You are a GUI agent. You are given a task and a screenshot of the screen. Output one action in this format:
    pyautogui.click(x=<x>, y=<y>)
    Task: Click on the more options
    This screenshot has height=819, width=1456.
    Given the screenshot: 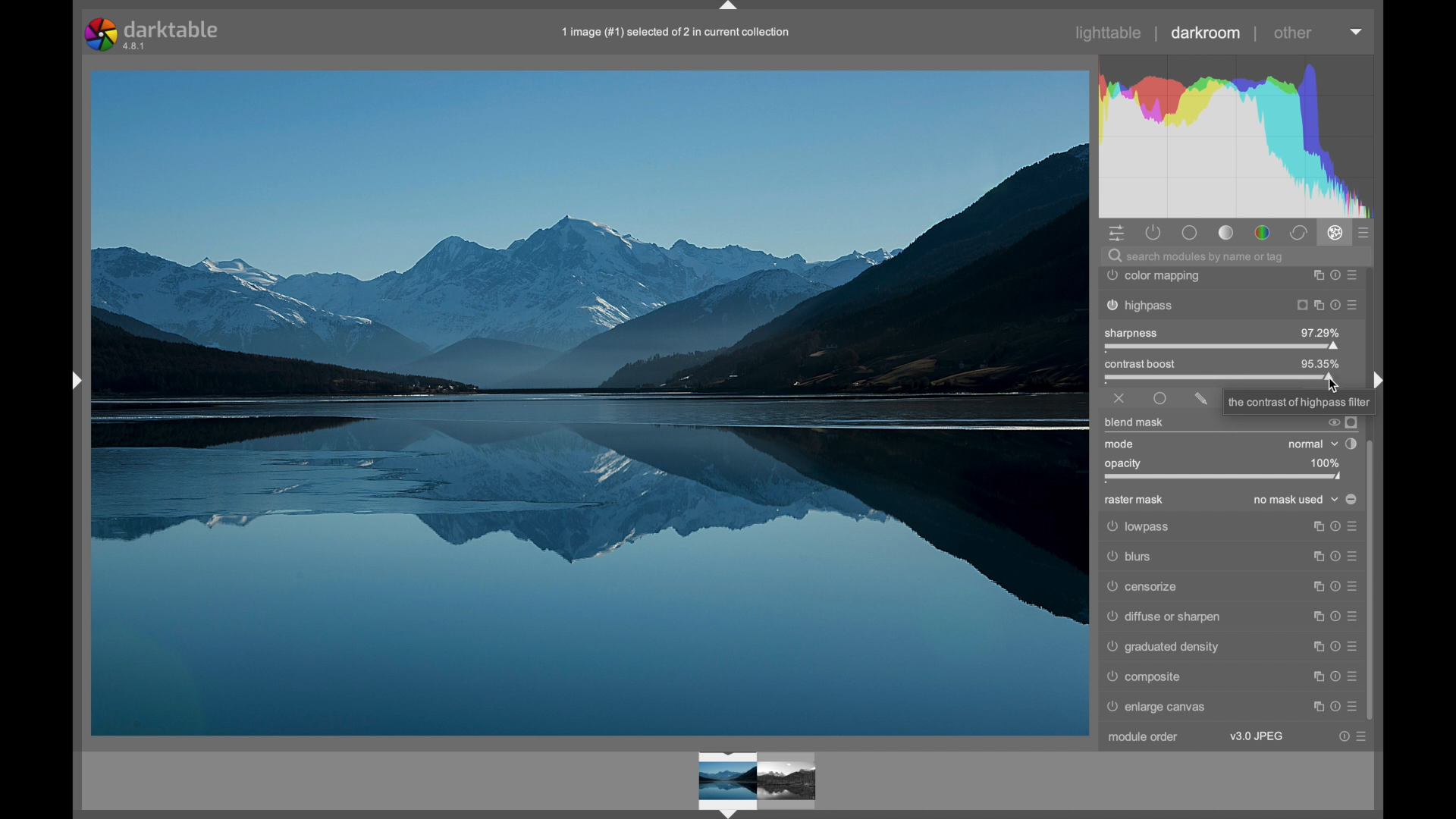 What is the action you would take?
    pyautogui.click(x=1334, y=676)
    